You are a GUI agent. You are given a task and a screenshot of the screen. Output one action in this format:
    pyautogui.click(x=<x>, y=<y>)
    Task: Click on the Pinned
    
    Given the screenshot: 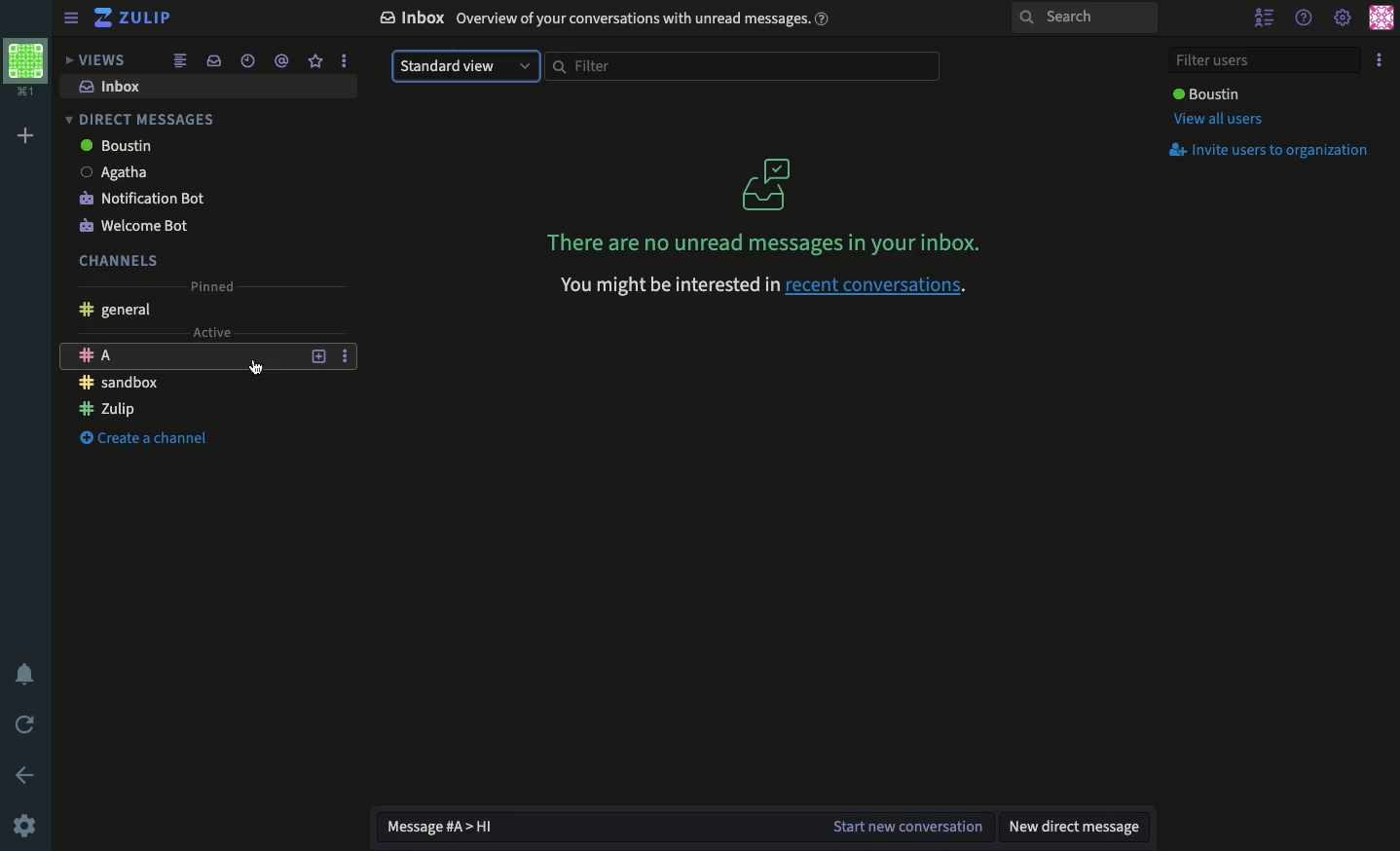 What is the action you would take?
    pyautogui.click(x=215, y=286)
    